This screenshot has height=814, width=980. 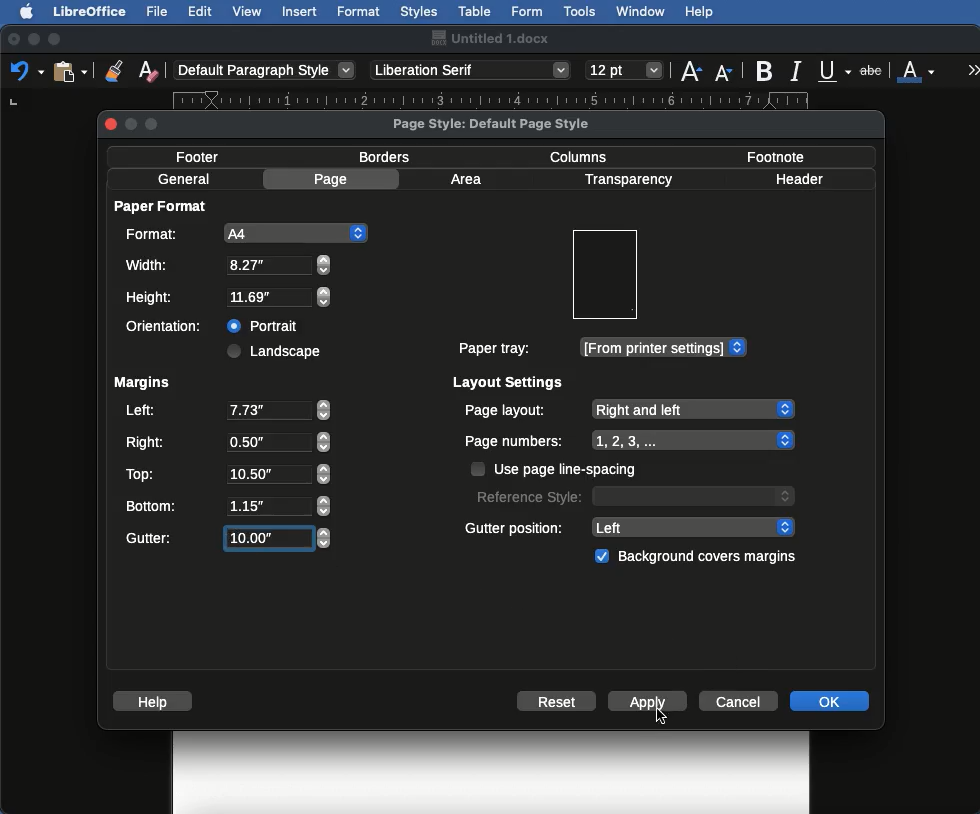 What do you see at coordinates (248, 11) in the screenshot?
I see `View` at bounding box center [248, 11].